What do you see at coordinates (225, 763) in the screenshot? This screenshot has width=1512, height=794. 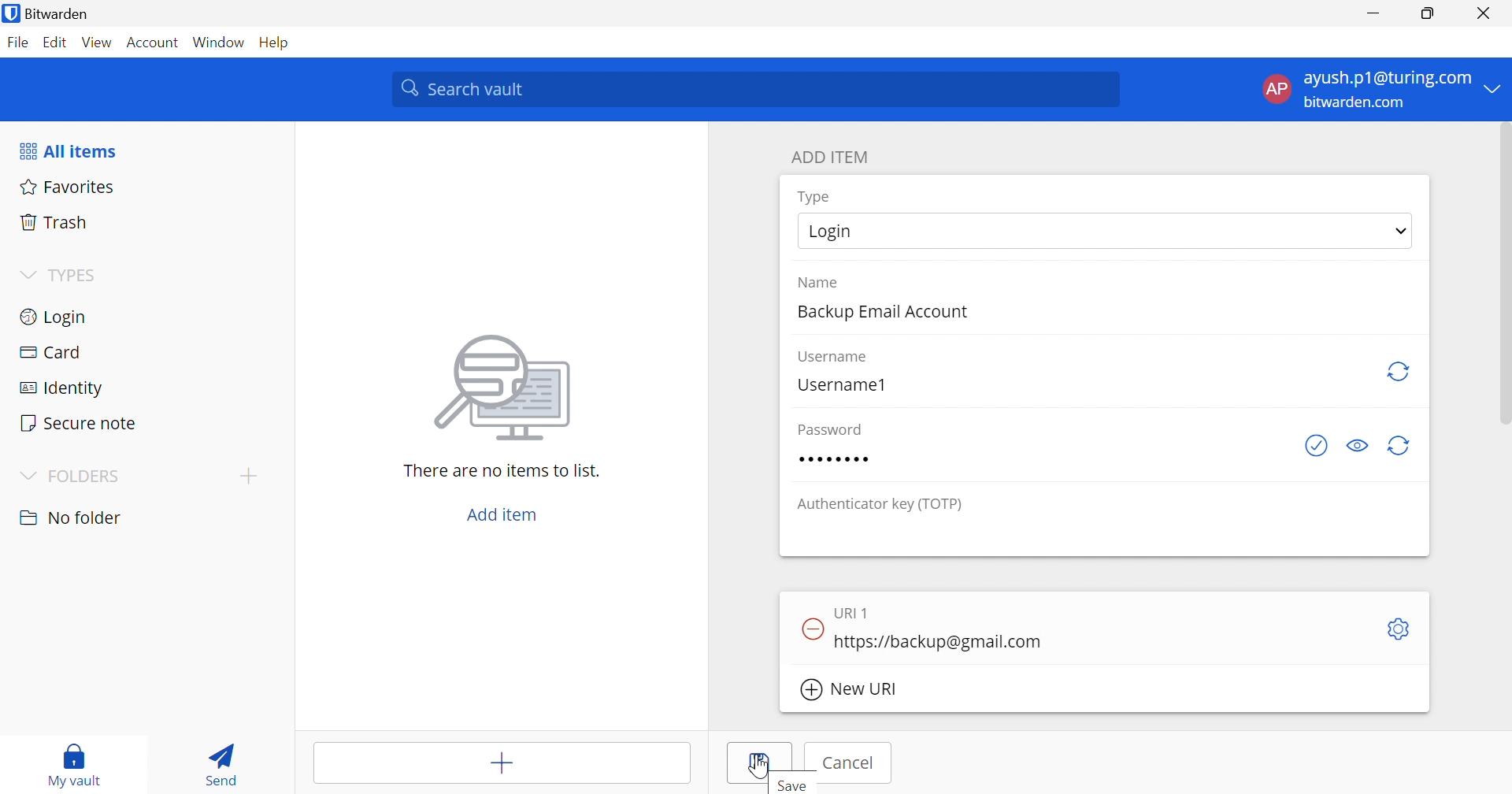 I see `Send` at bounding box center [225, 763].